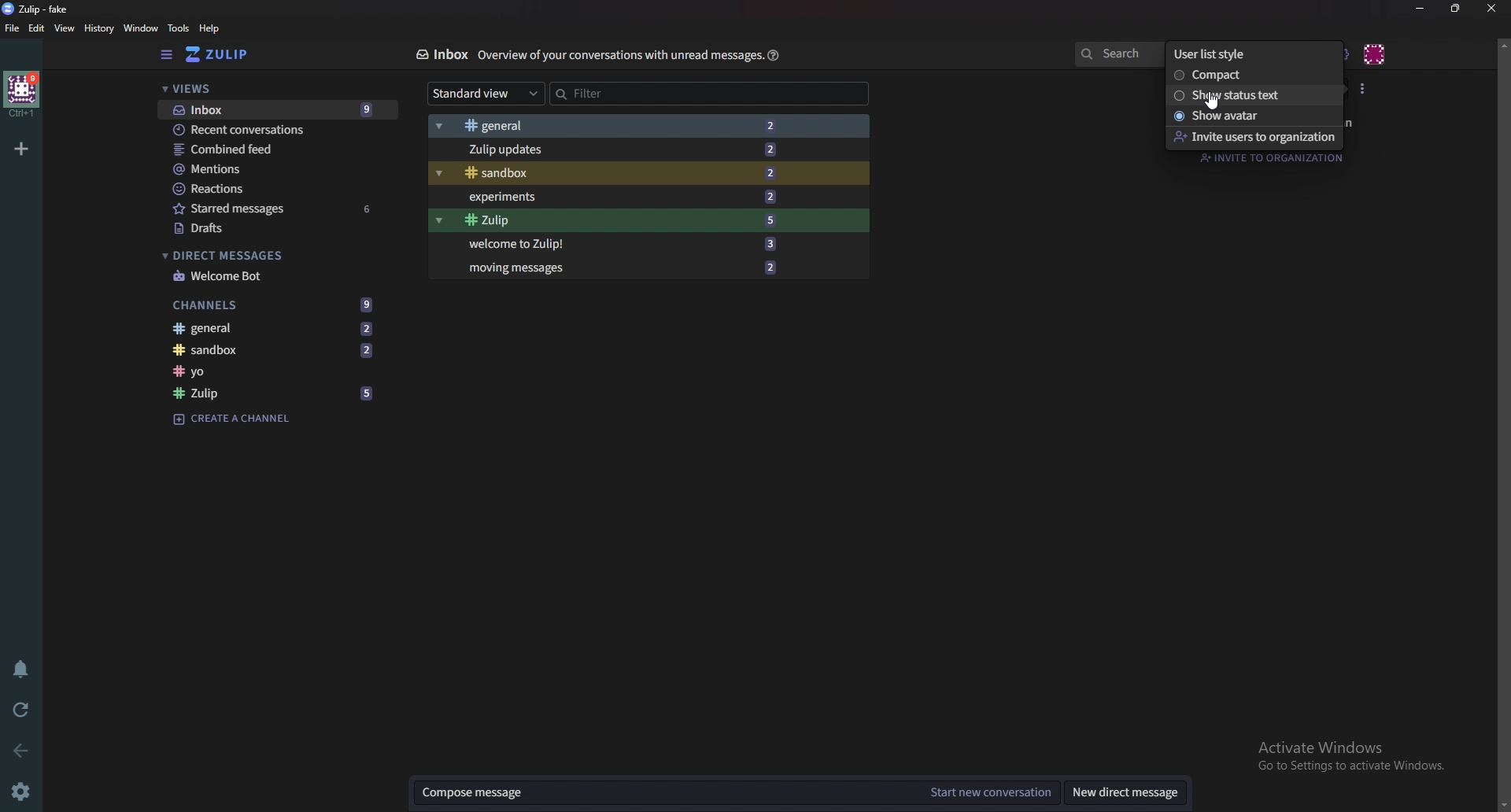 The width and height of the screenshot is (1511, 812). Describe the element at coordinates (228, 55) in the screenshot. I see `Zulip` at that location.